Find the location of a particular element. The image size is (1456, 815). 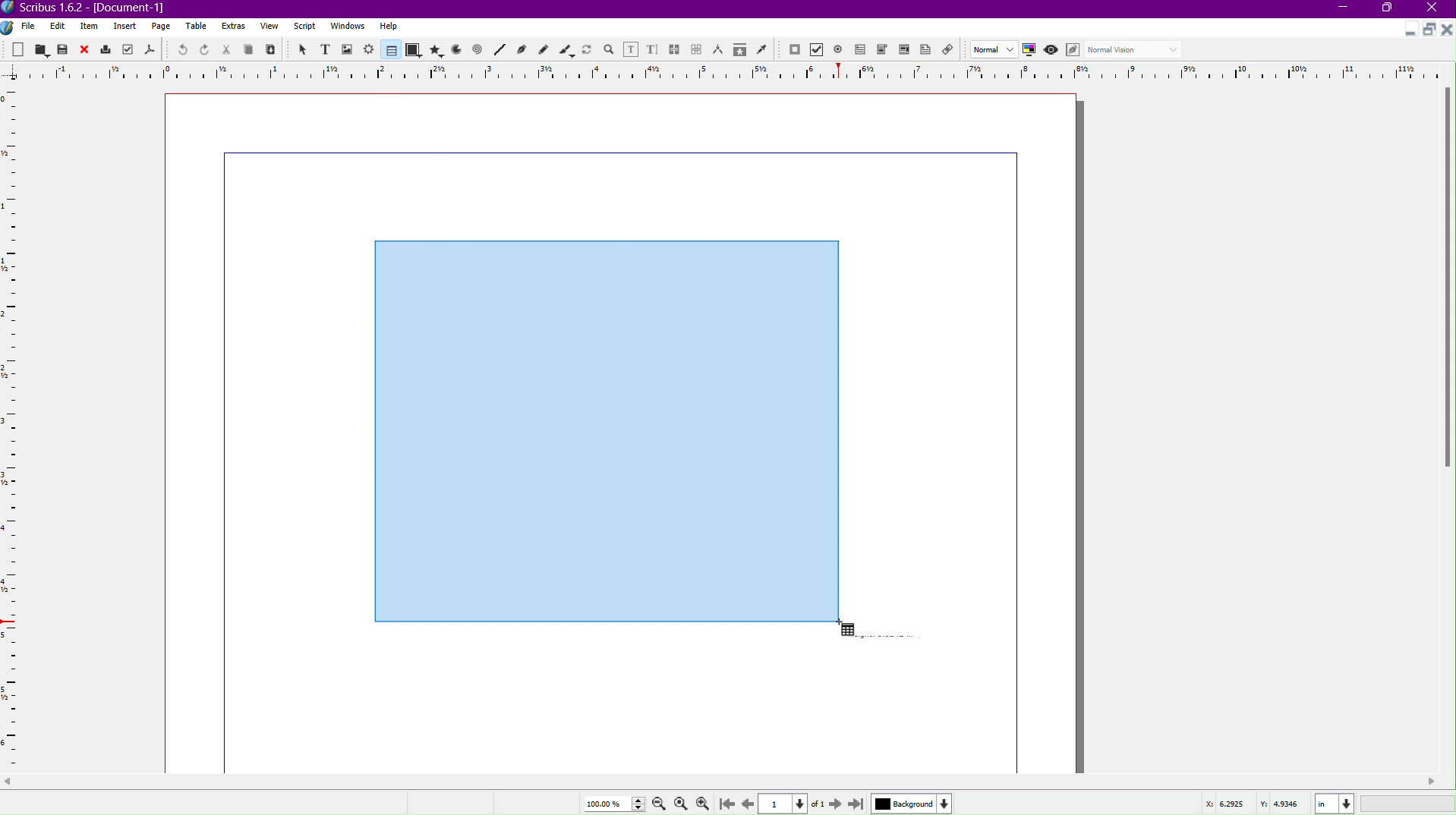

Table Selection is located at coordinates (599, 426).